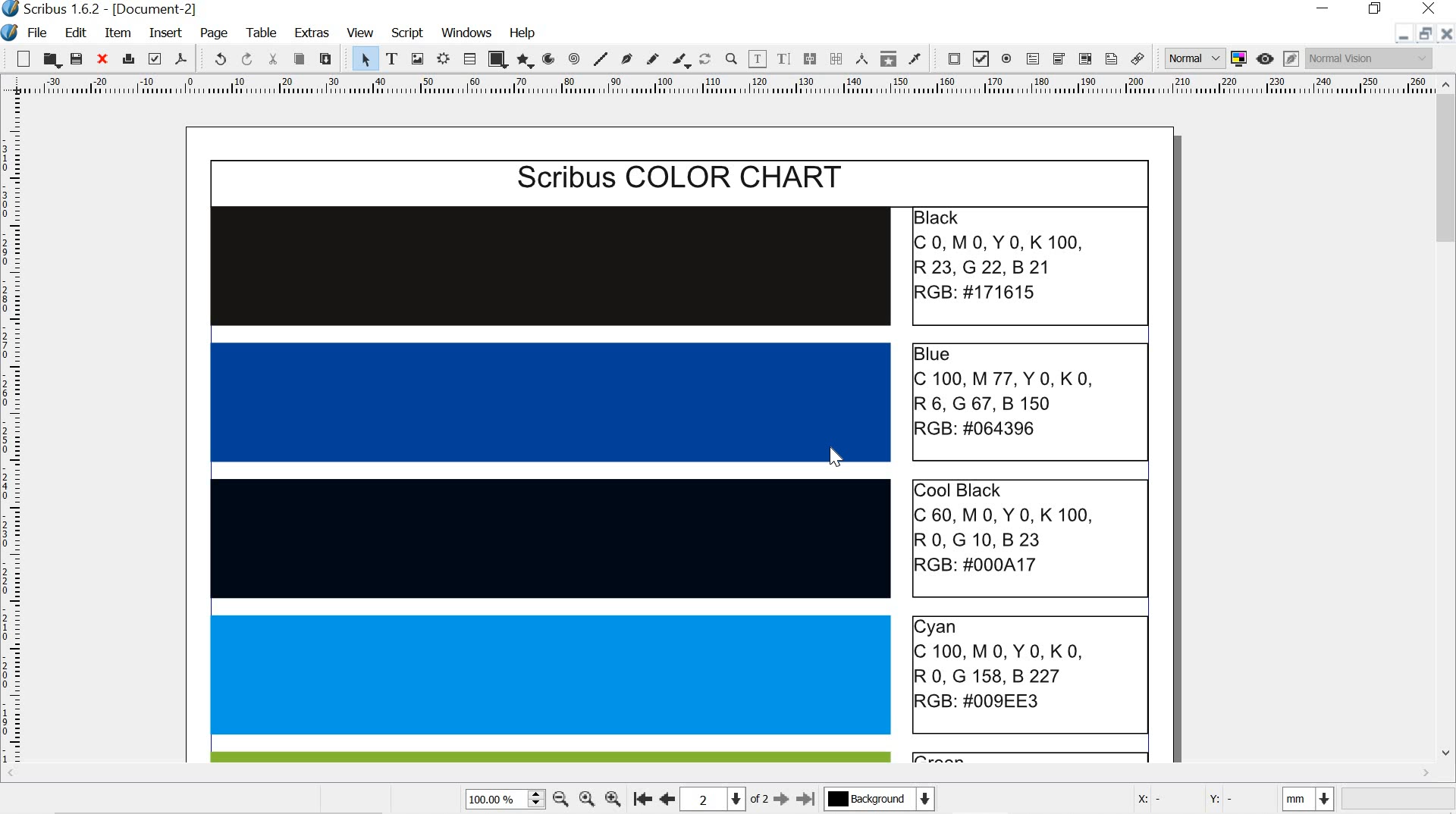 Image resolution: width=1456 pixels, height=814 pixels. I want to click on preview mode, so click(1267, 58).